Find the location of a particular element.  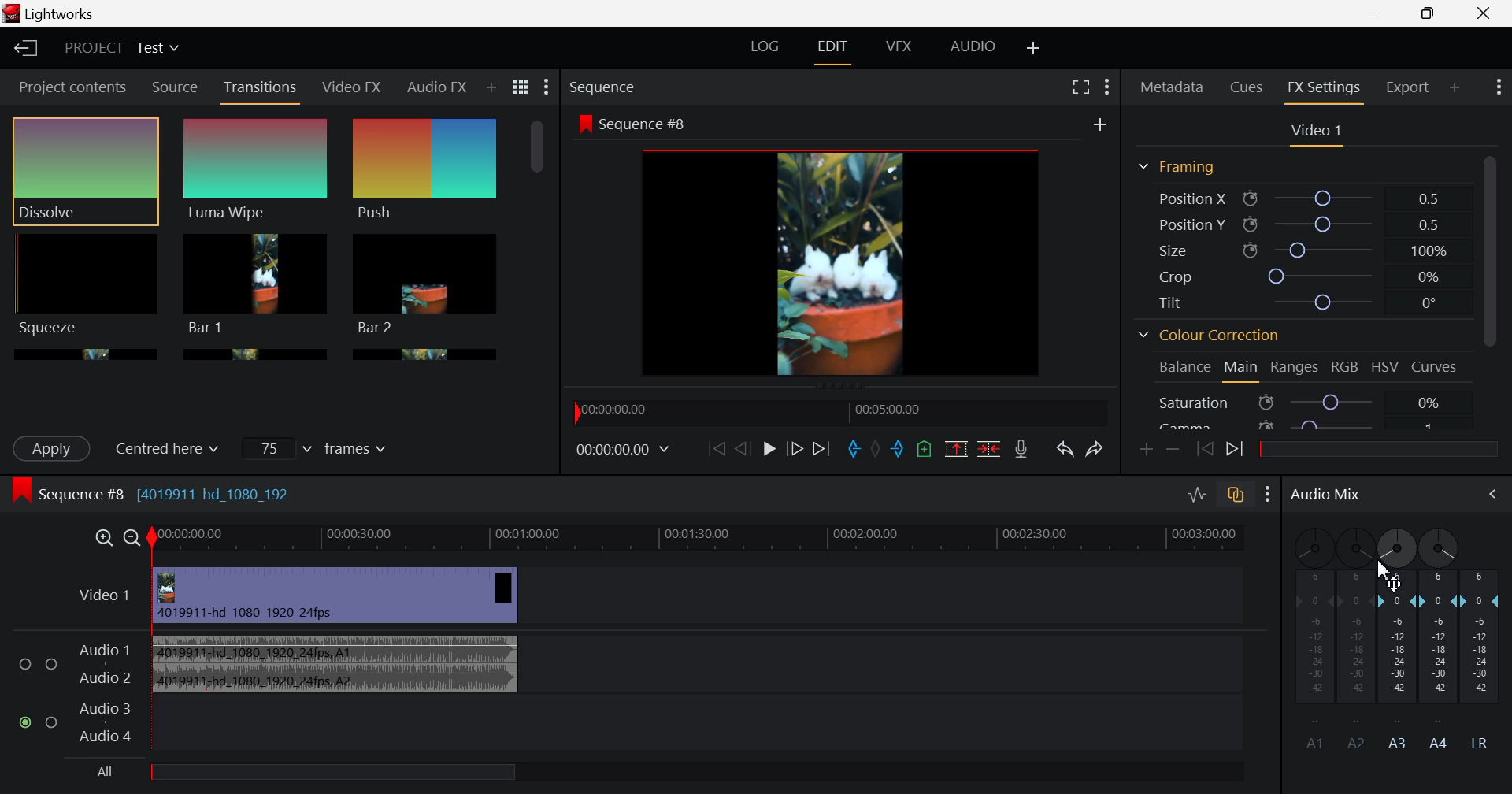

To End is located at coordinates (822, 451).